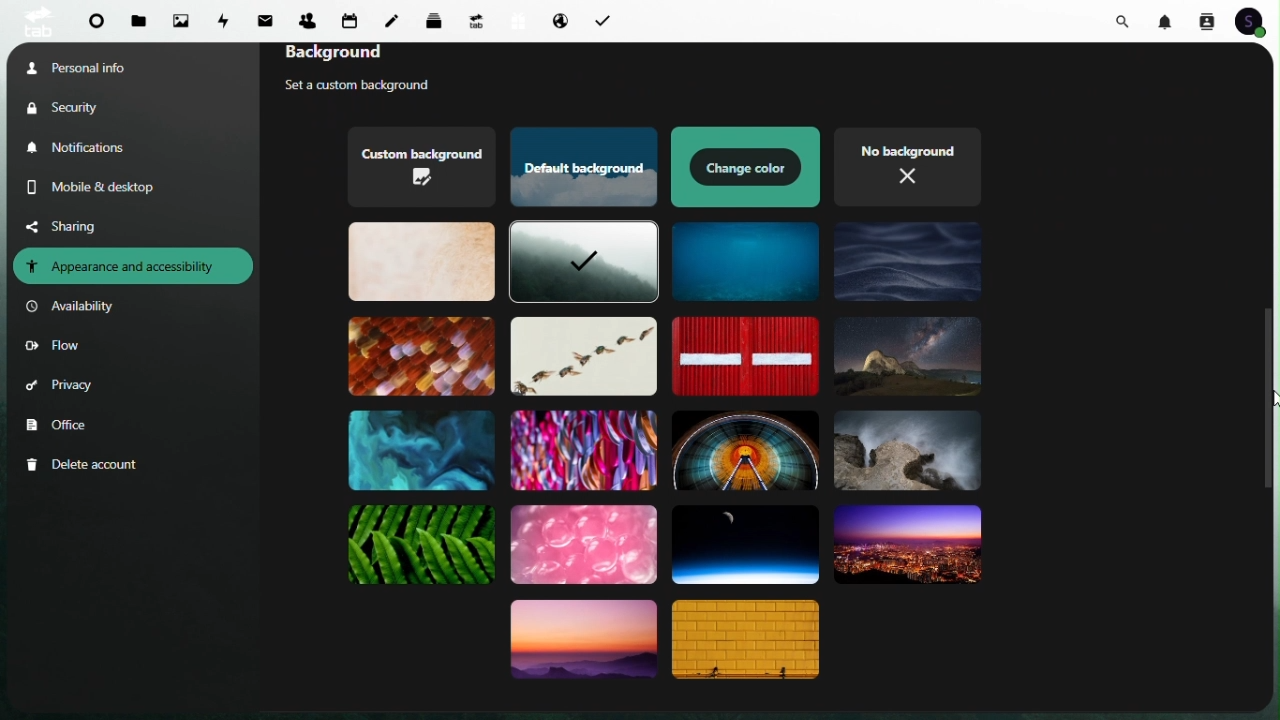  What do you see at coordinates (423, 449) in the screenshot?
I see `Themes` at bounding box center [423, 449].